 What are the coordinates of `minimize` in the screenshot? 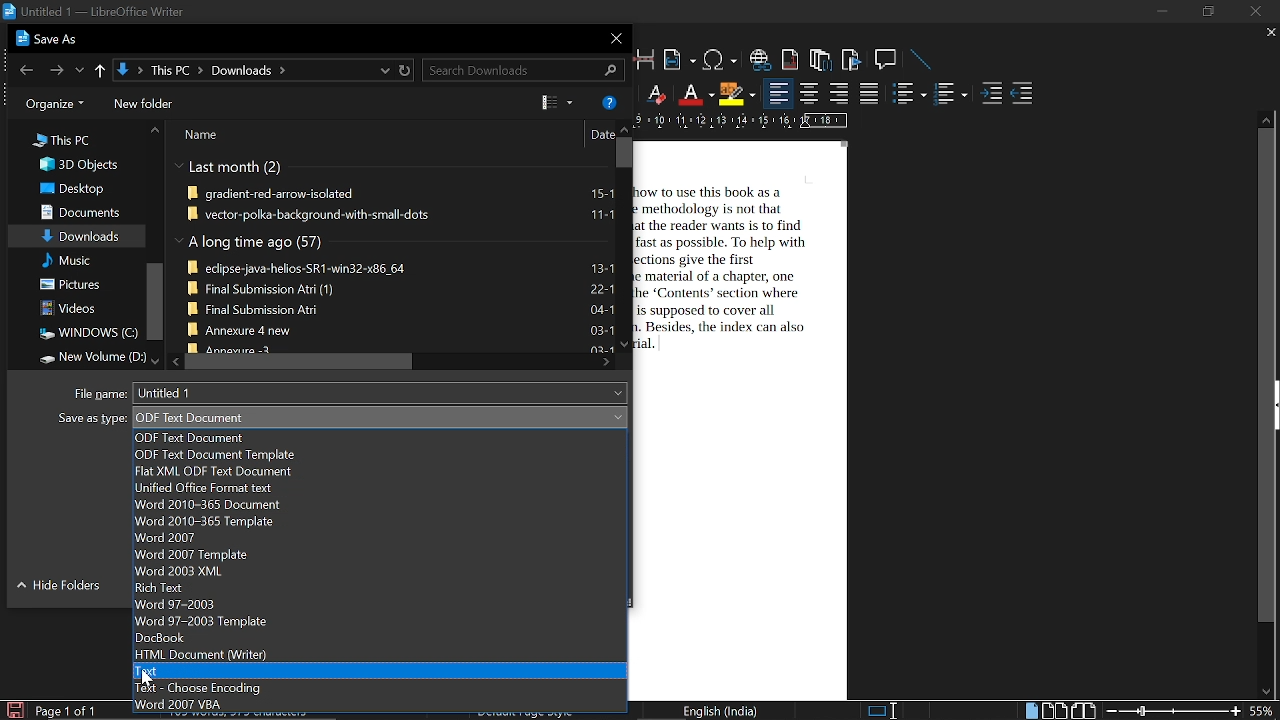 It's located at (1160, 12).